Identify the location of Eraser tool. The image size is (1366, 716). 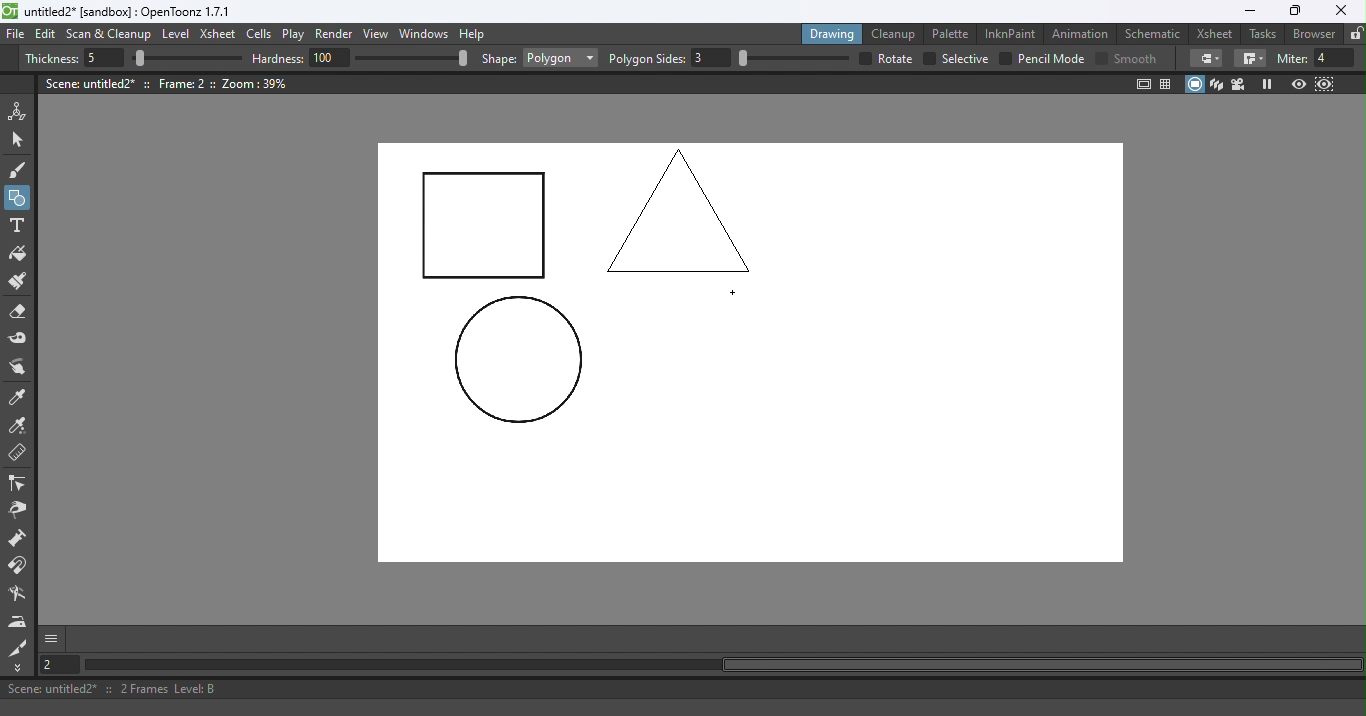
(23, 312).